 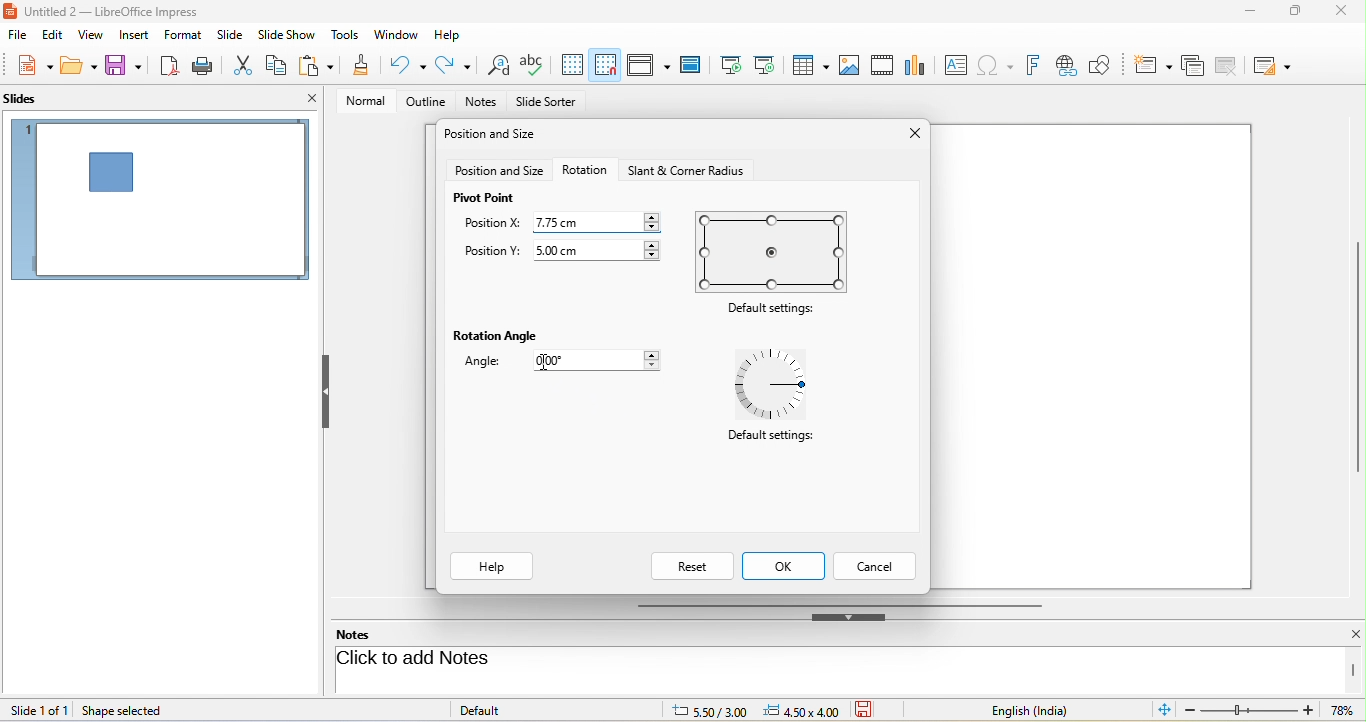 What do you see at coordinates (786, 566) in the screenshot?
I see `ok` at bounding box center [786, 566].